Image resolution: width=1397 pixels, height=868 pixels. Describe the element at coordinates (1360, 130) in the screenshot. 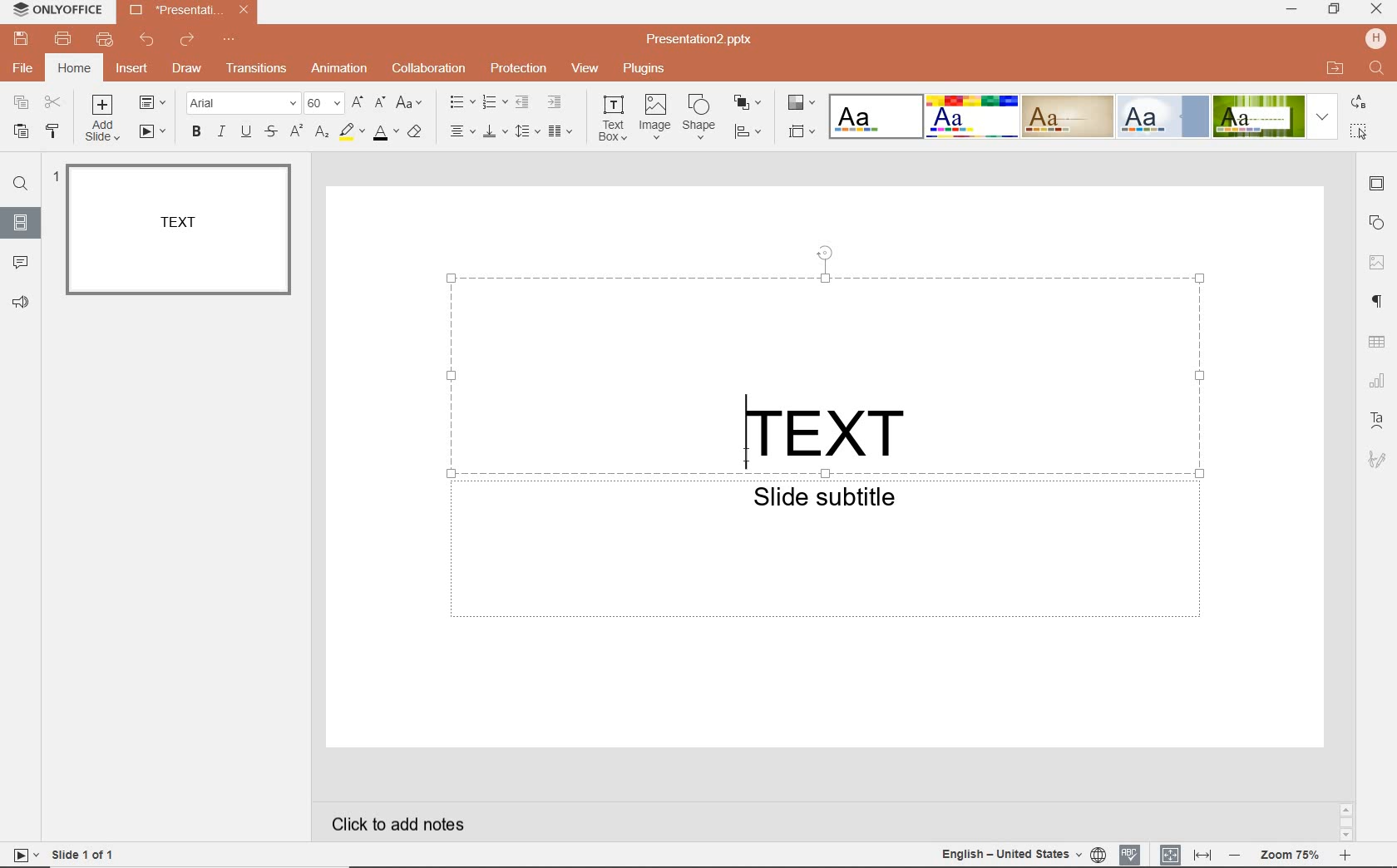

I see `select` at that location.